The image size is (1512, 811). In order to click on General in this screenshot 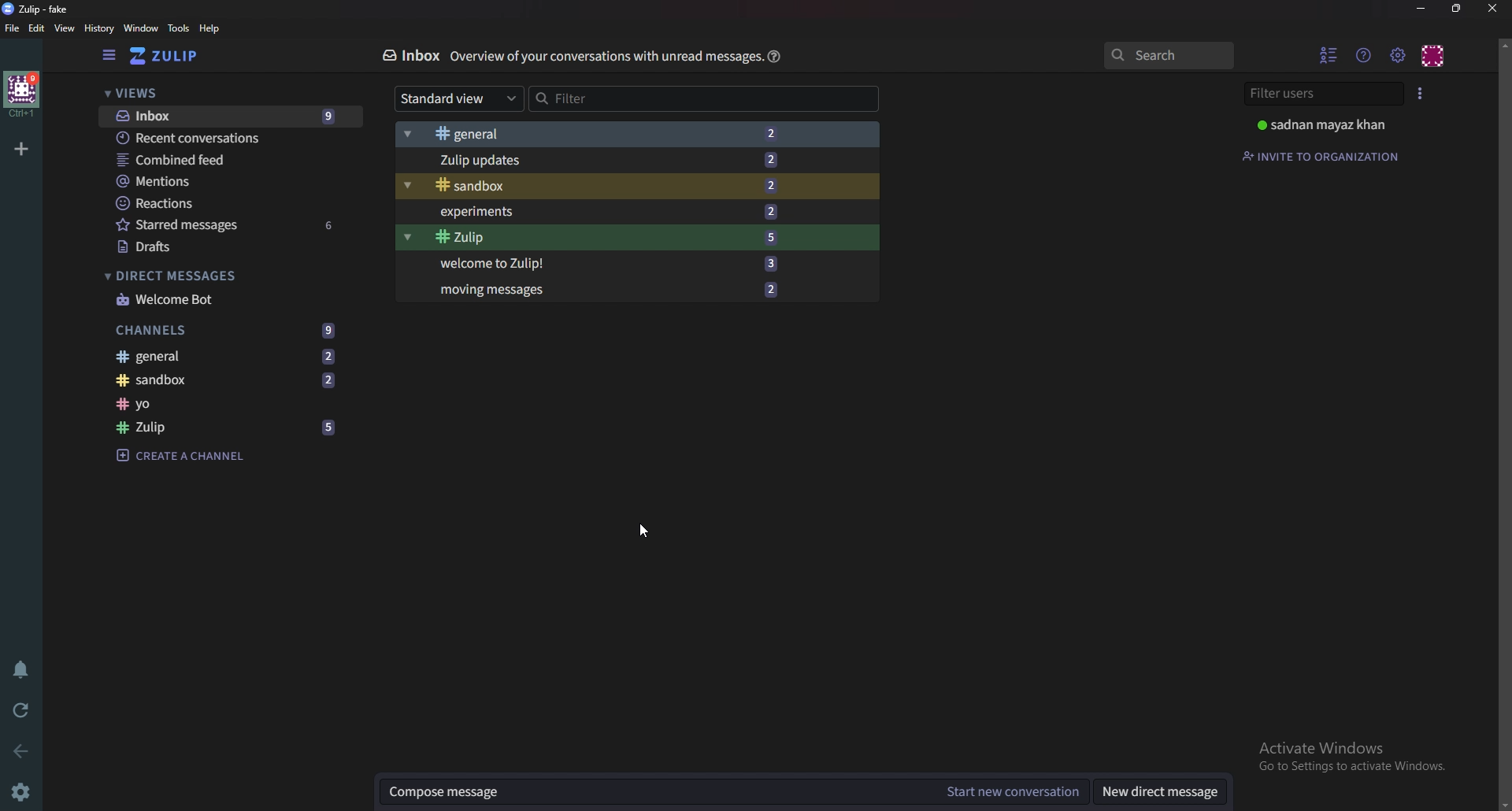, I will do `click(221, 357)`.